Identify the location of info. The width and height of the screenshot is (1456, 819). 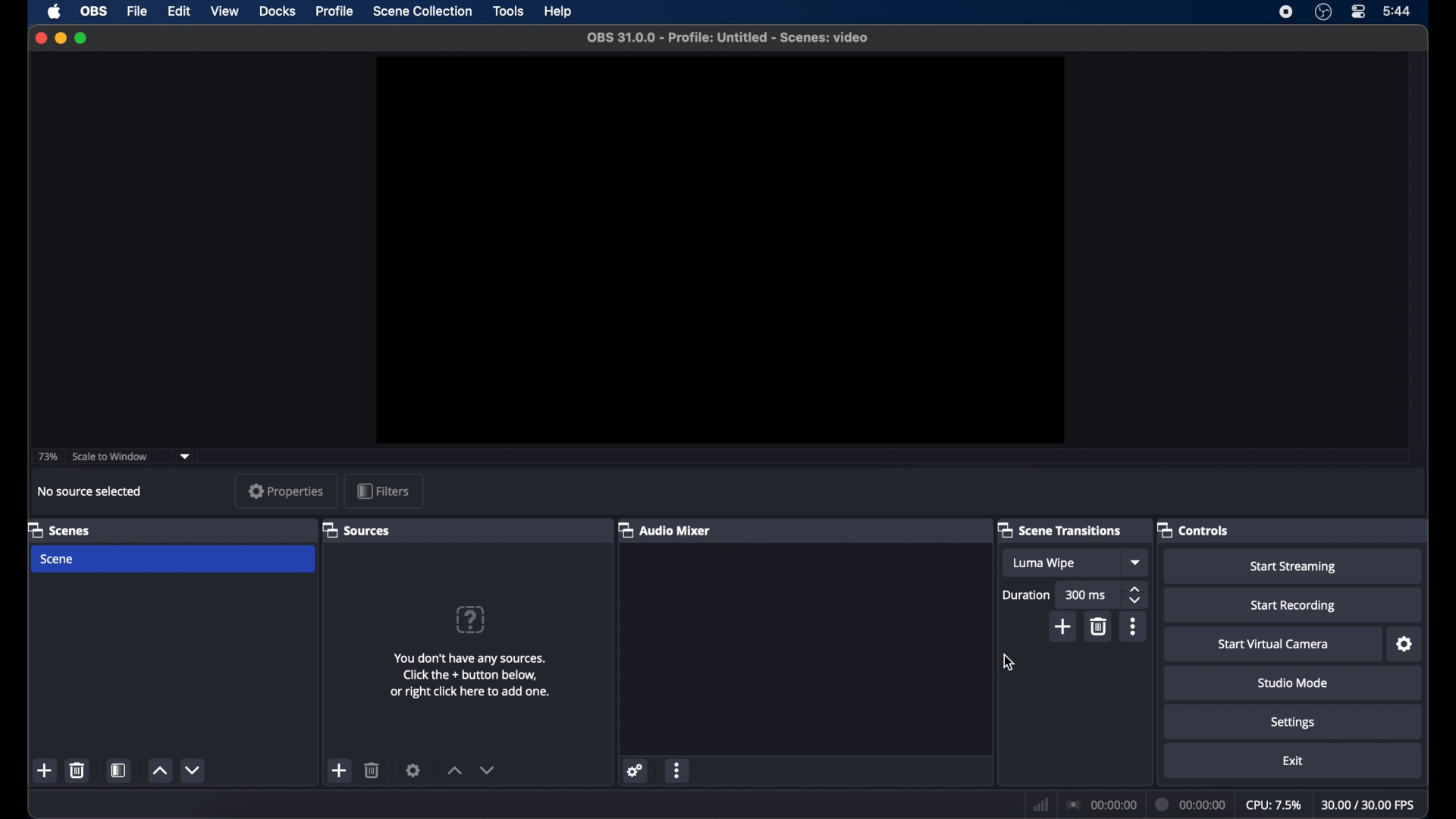
(472, 675).